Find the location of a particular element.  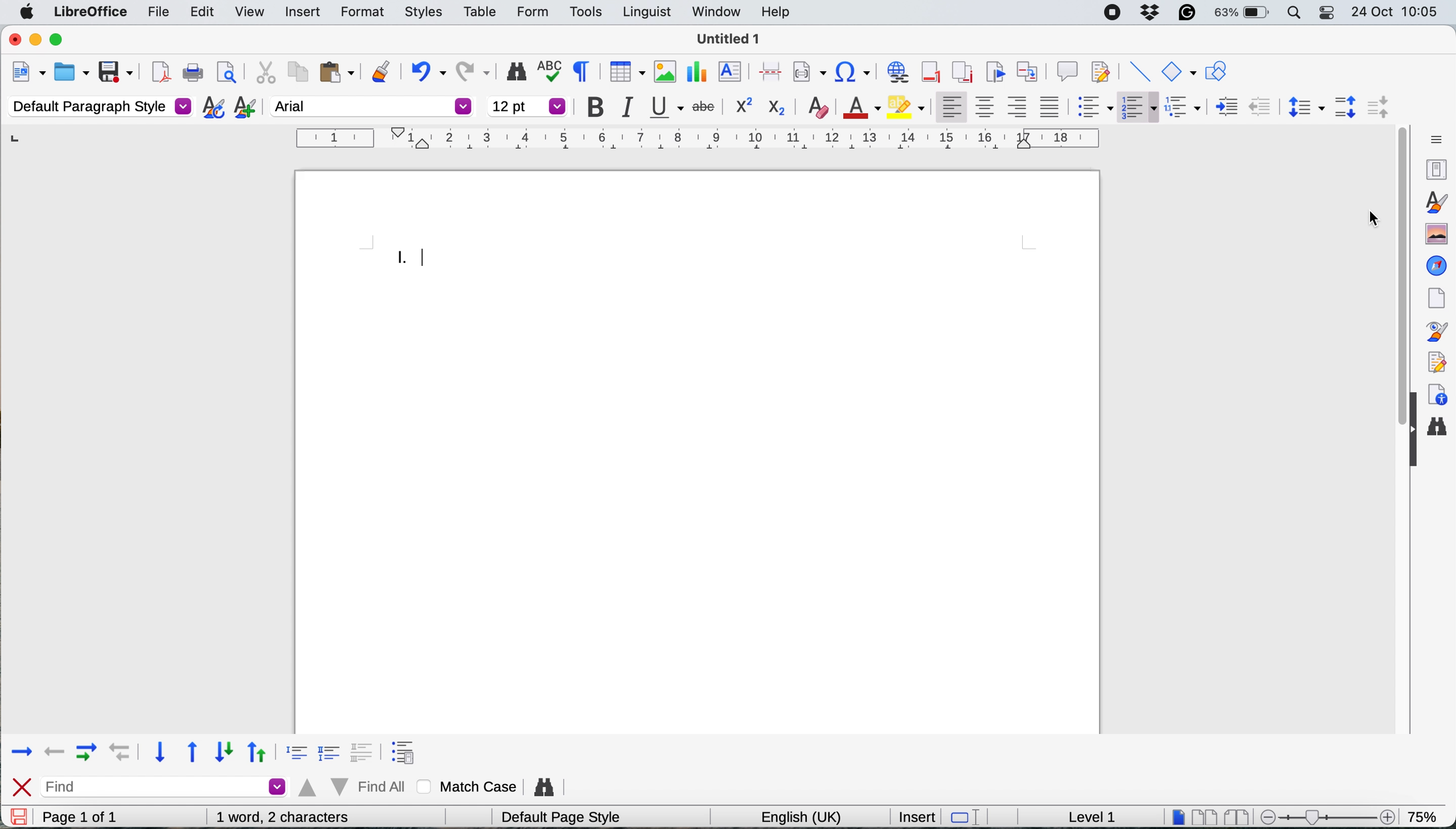

find and replace is located at coordinates (515, 72).